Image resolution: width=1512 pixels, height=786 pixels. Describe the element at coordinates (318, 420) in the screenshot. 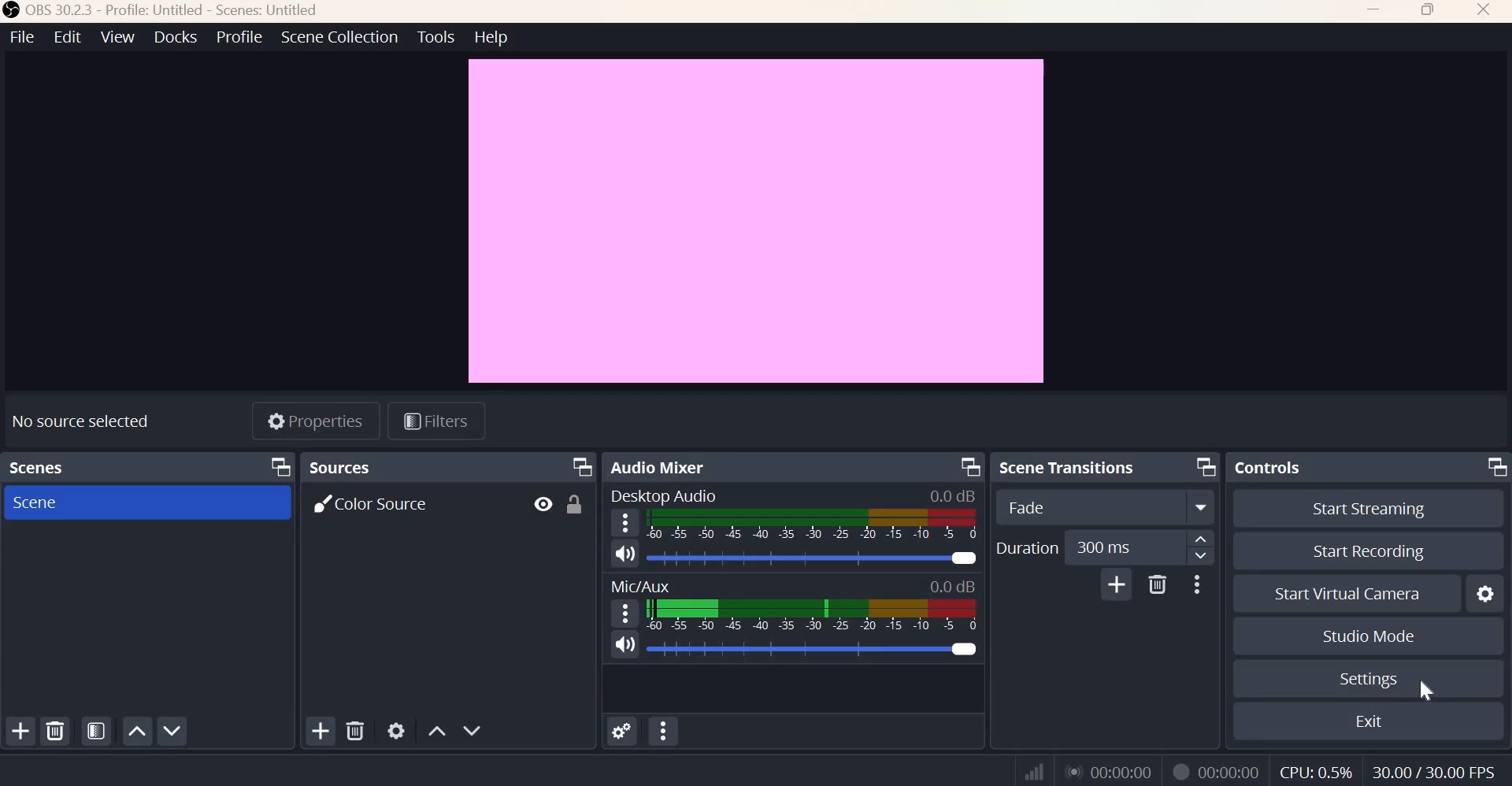

I see `Open source properties` at that location.